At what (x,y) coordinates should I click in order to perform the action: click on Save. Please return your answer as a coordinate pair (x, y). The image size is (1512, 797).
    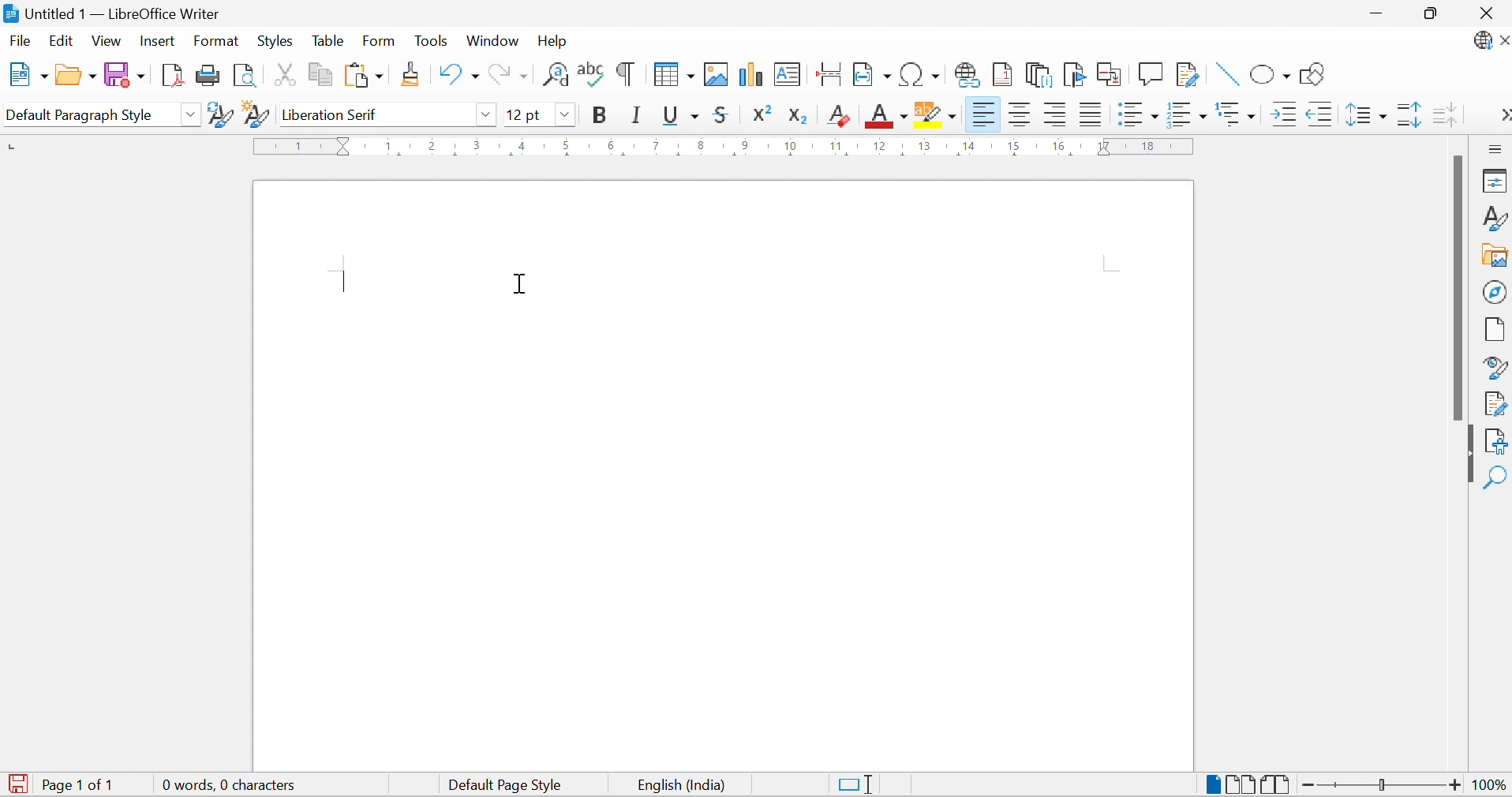
    Looking at the image, I should click on (123, 74).